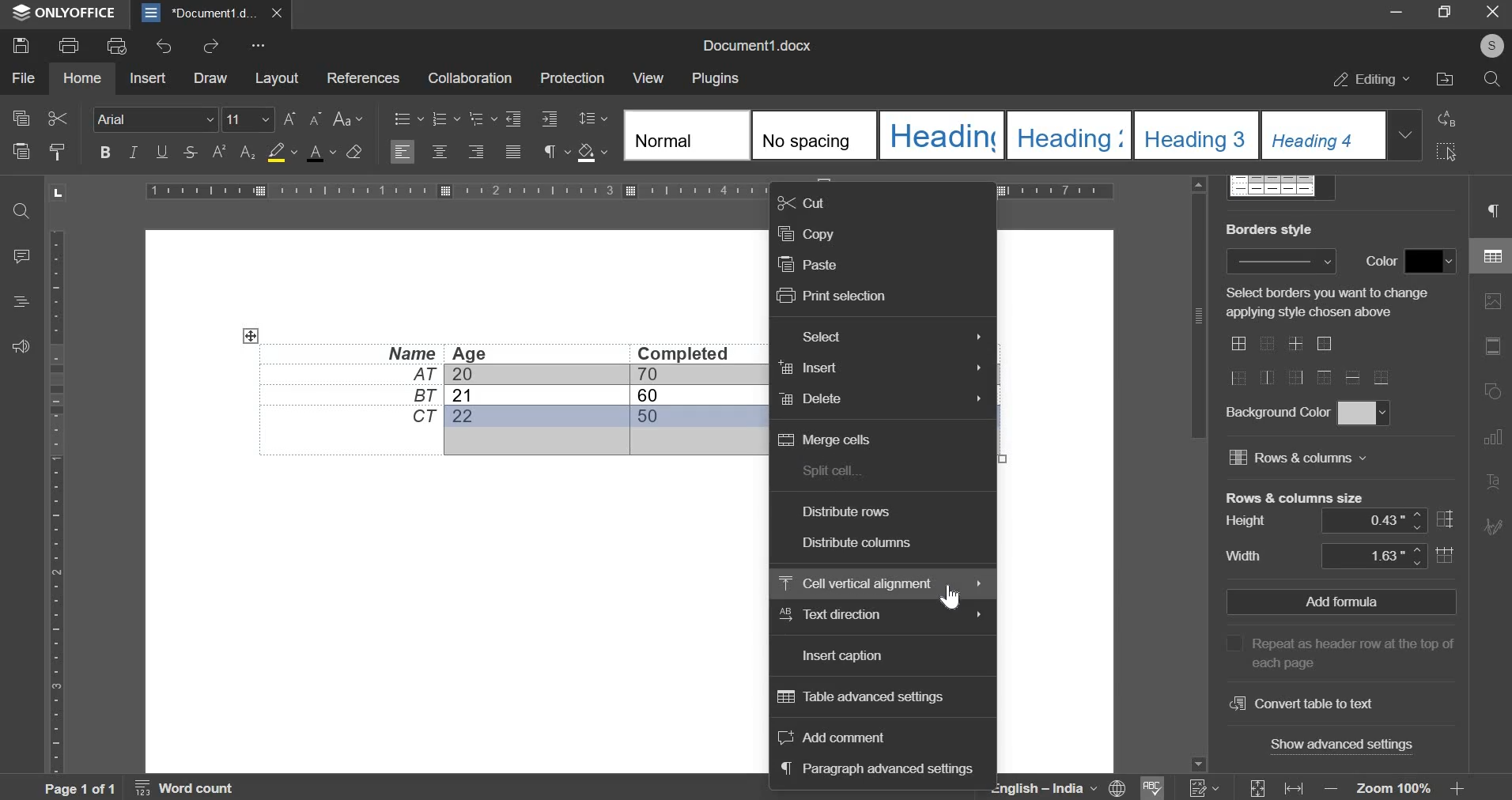 The width and height of the screenshot is (1512, 800). Describe the element at coordinates (856, 581) in the screenshot. I see `cell vertical alignment` at that location.